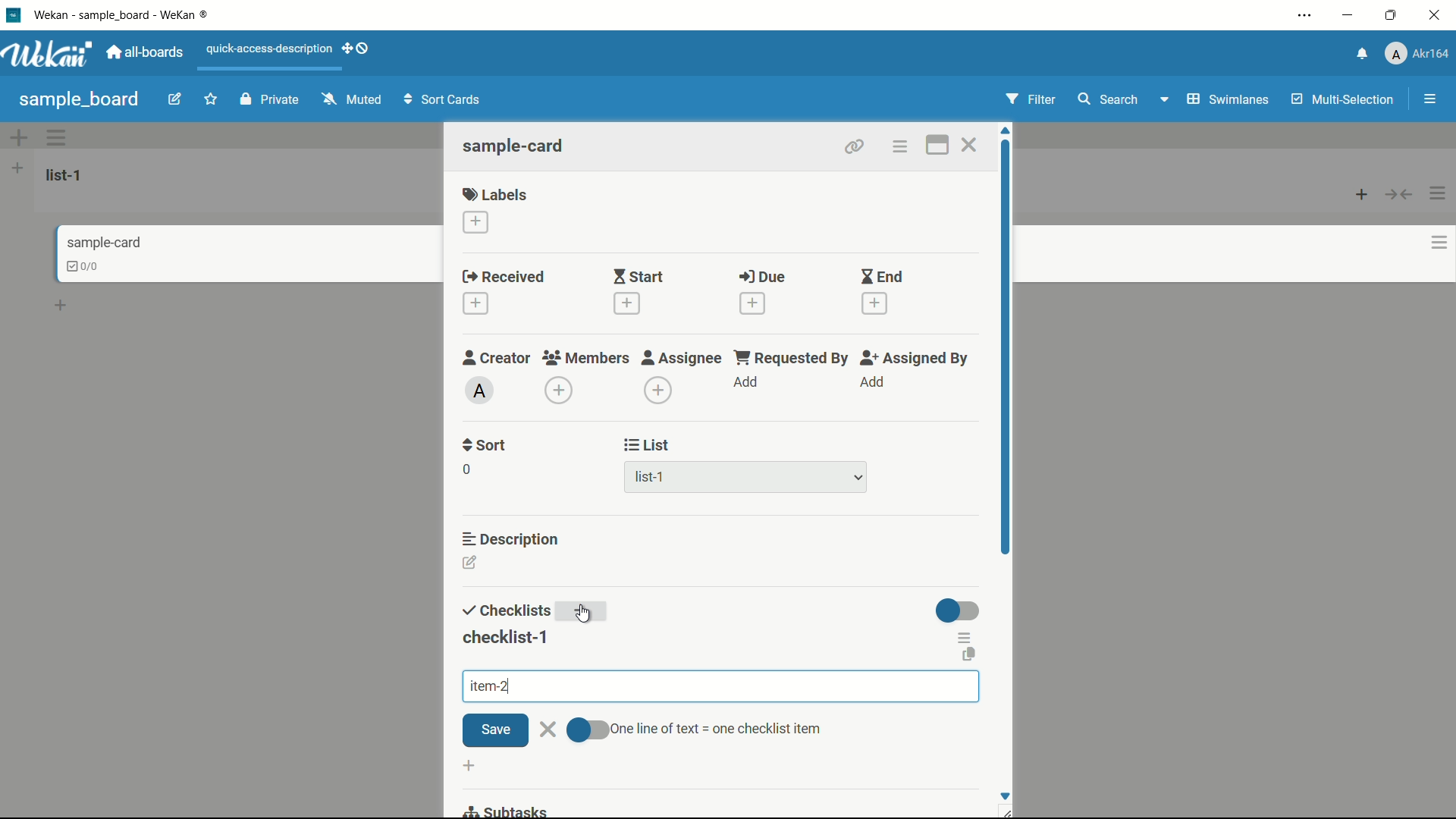  I want to click on sort cards, so click(444, 101).